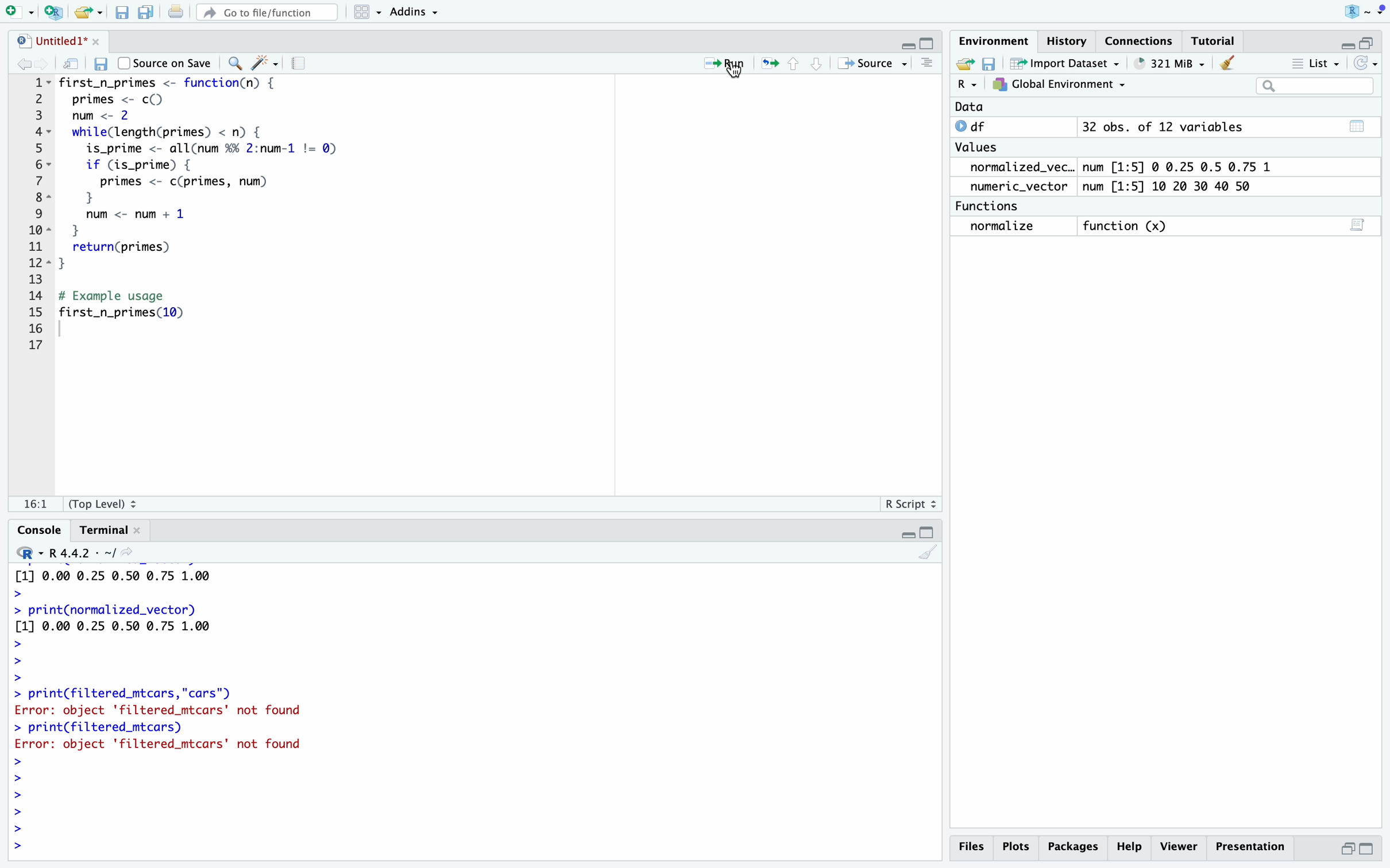 This screenshot has width=1390, height=868. Describe the element at coordinates (107, 530) in the screenshot. I see `Terminal` at that location.